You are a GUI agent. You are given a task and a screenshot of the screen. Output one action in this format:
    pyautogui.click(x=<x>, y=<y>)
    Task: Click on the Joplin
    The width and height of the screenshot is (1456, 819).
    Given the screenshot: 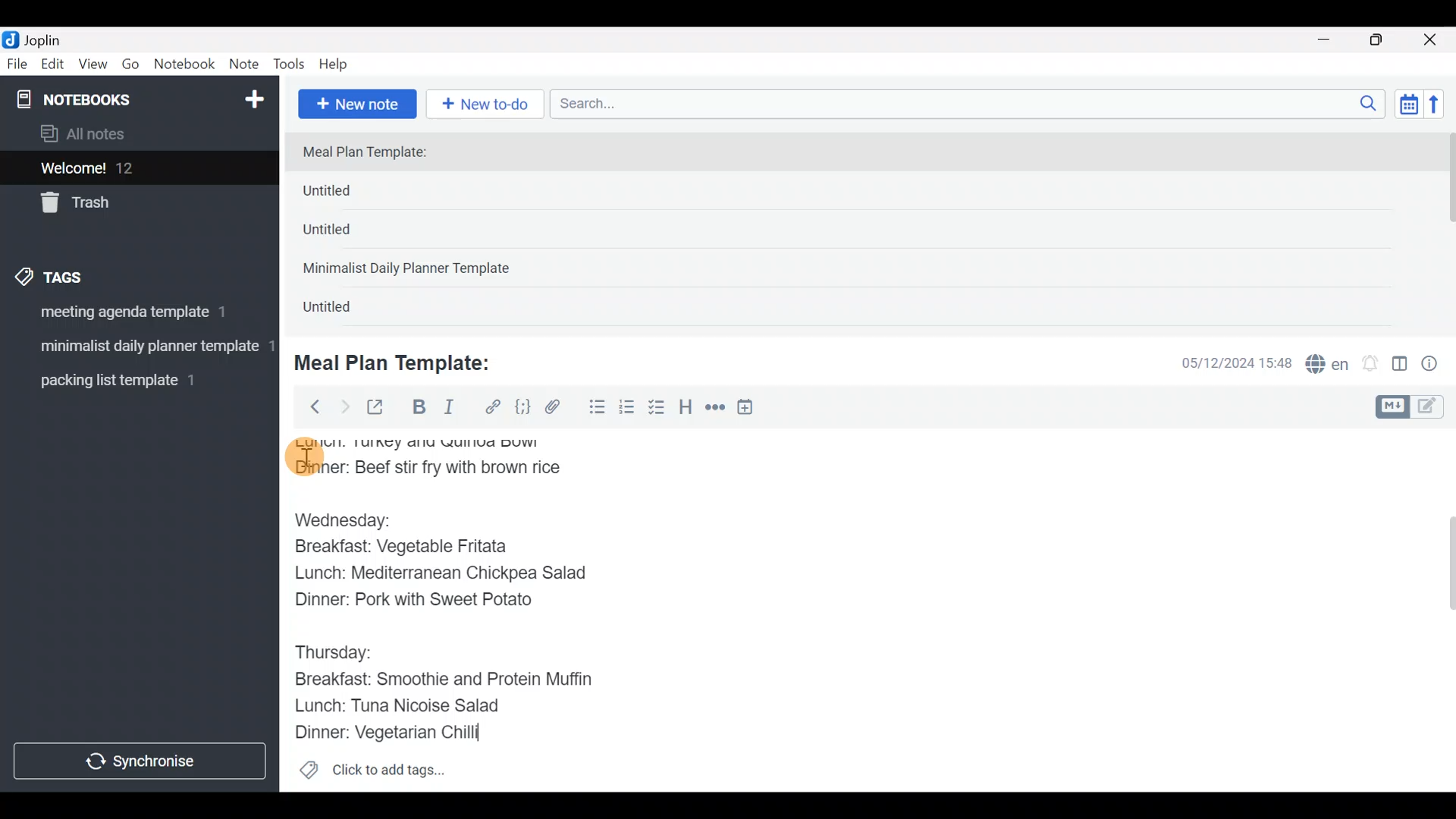 What is the action you would take?
    pyautogui.click(x=52, y=38)
    